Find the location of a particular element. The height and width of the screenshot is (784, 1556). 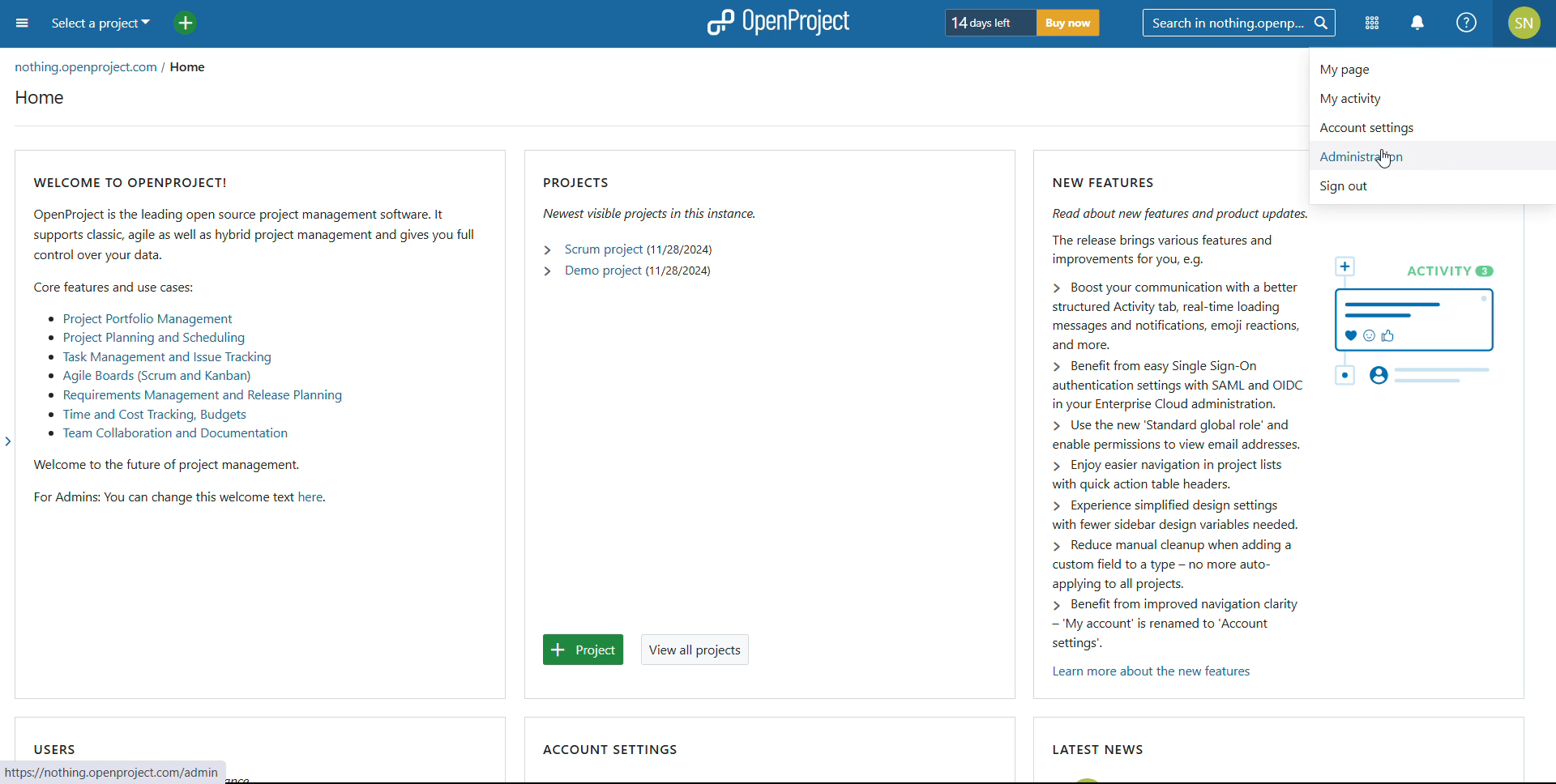

scrum project start date is located at coordinates (680, 249).